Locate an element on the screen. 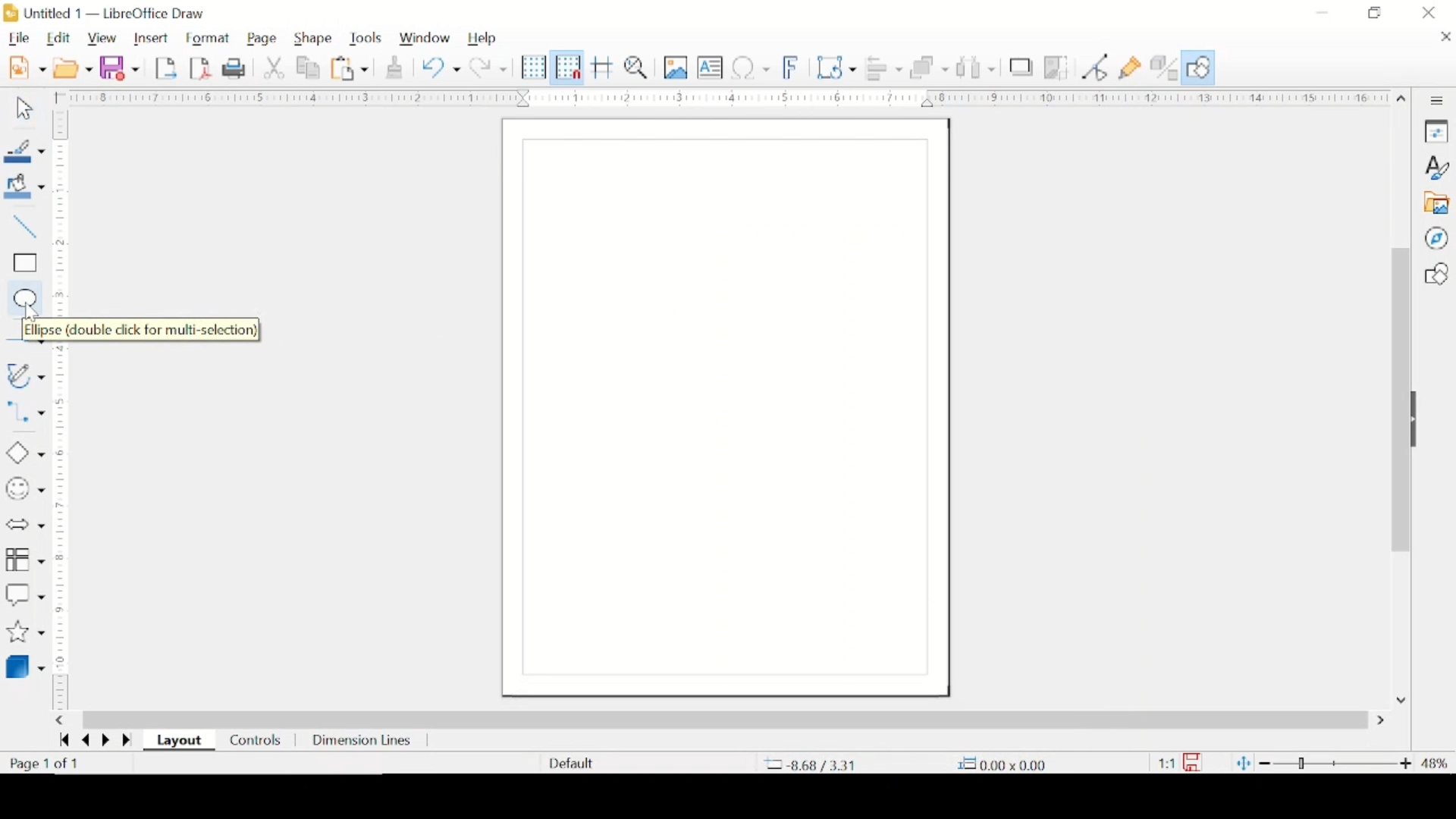  tools is located at coordinates (366, 39).